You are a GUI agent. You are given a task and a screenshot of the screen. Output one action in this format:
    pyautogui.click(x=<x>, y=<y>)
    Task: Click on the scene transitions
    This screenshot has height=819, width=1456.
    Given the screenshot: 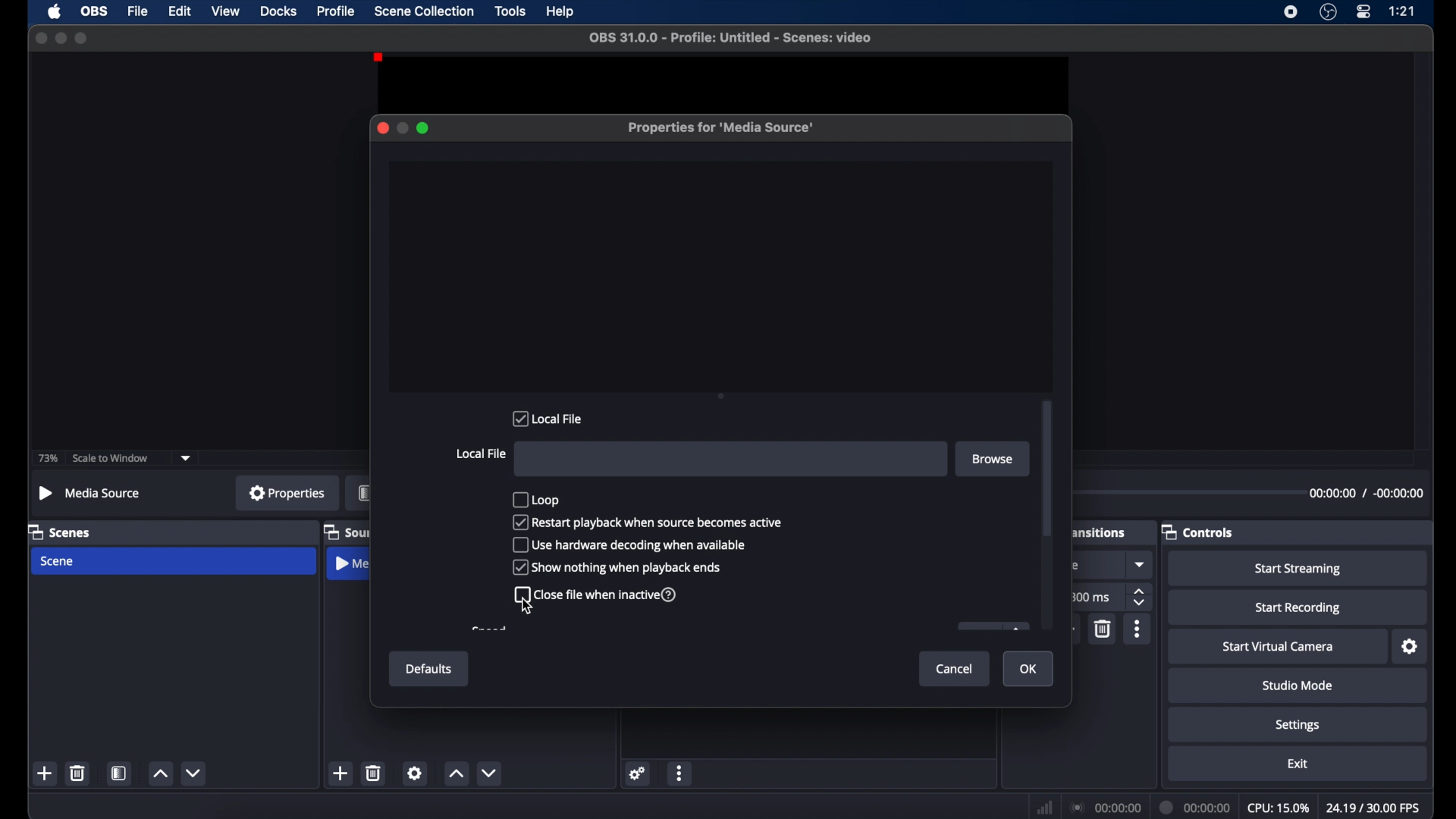 What is the action you would take?
    pyautogui.click(x=1100, y=533)
    